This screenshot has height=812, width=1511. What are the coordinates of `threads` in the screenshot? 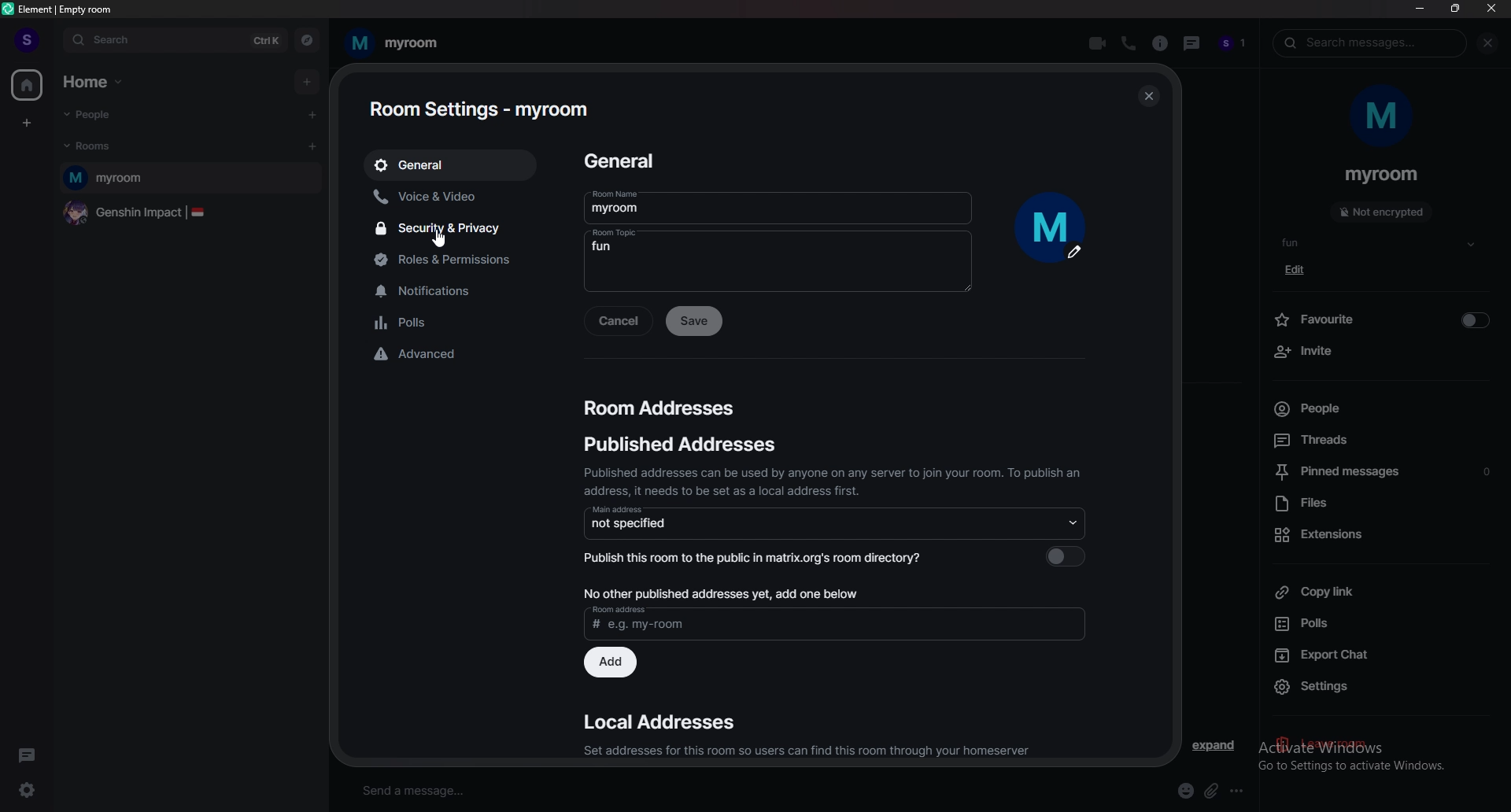 It's located at (29, 753).